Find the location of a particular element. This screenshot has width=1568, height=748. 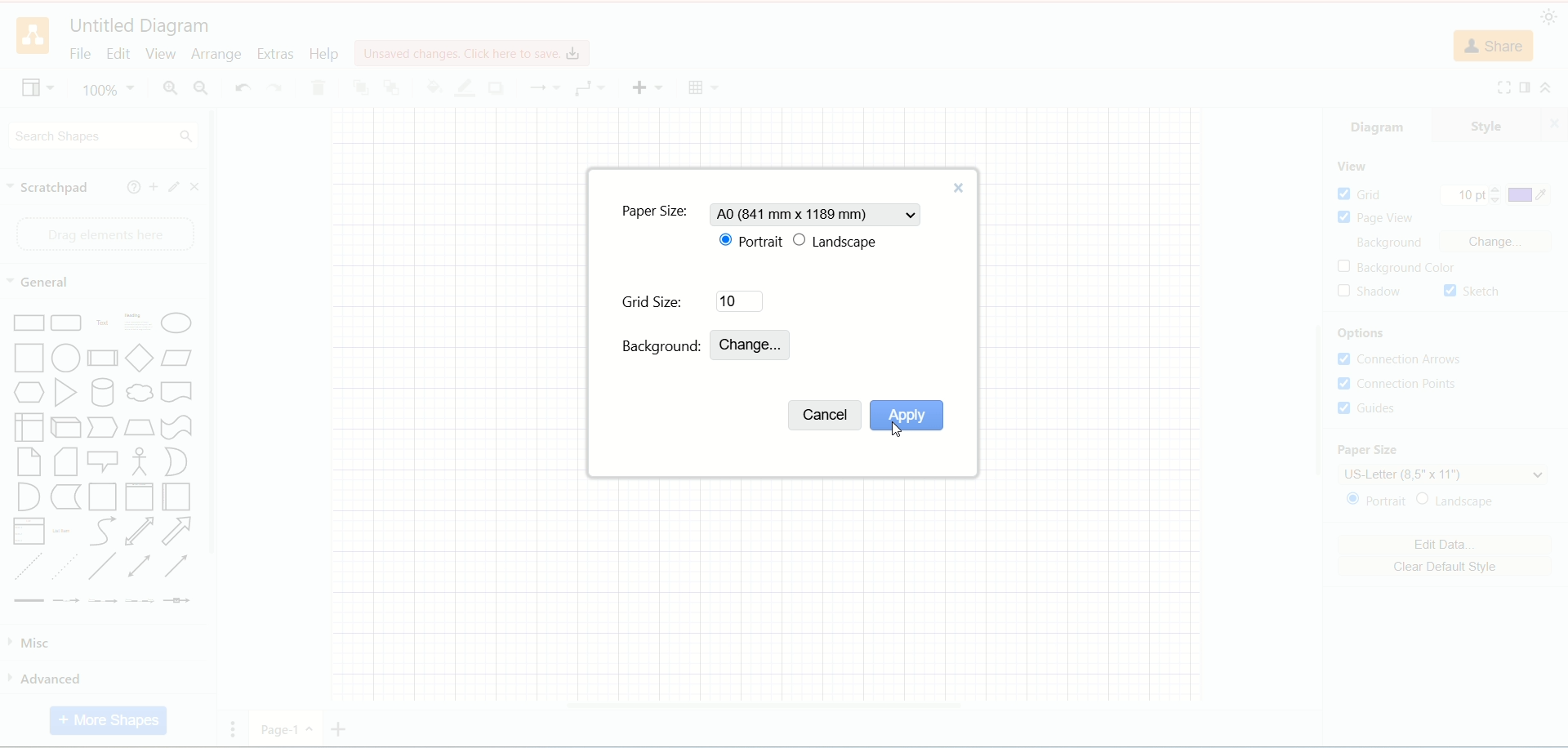

format is located at coordinates (1526, 87).